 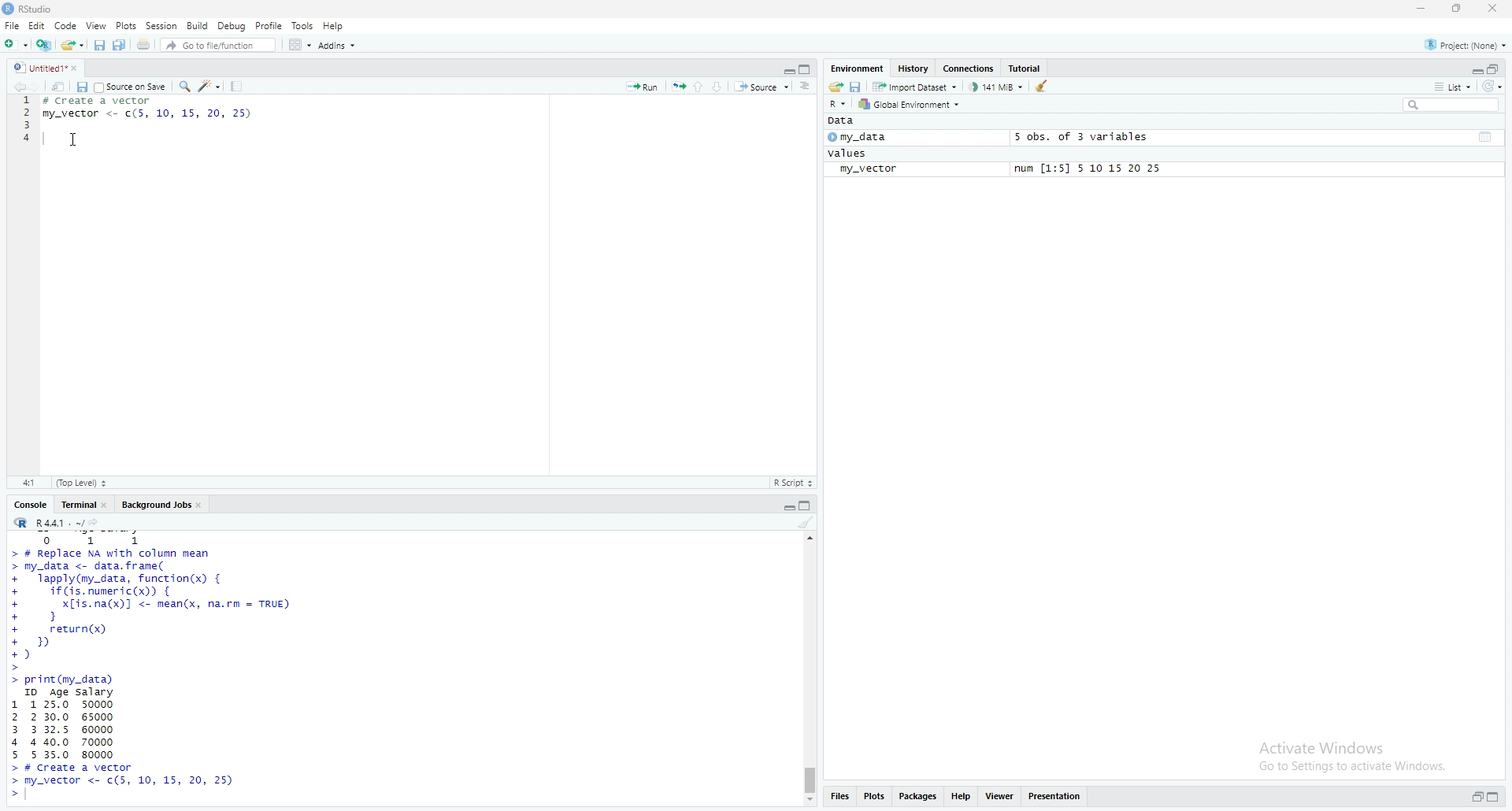 I want to click on collapse, so click(x=1495, y=69).